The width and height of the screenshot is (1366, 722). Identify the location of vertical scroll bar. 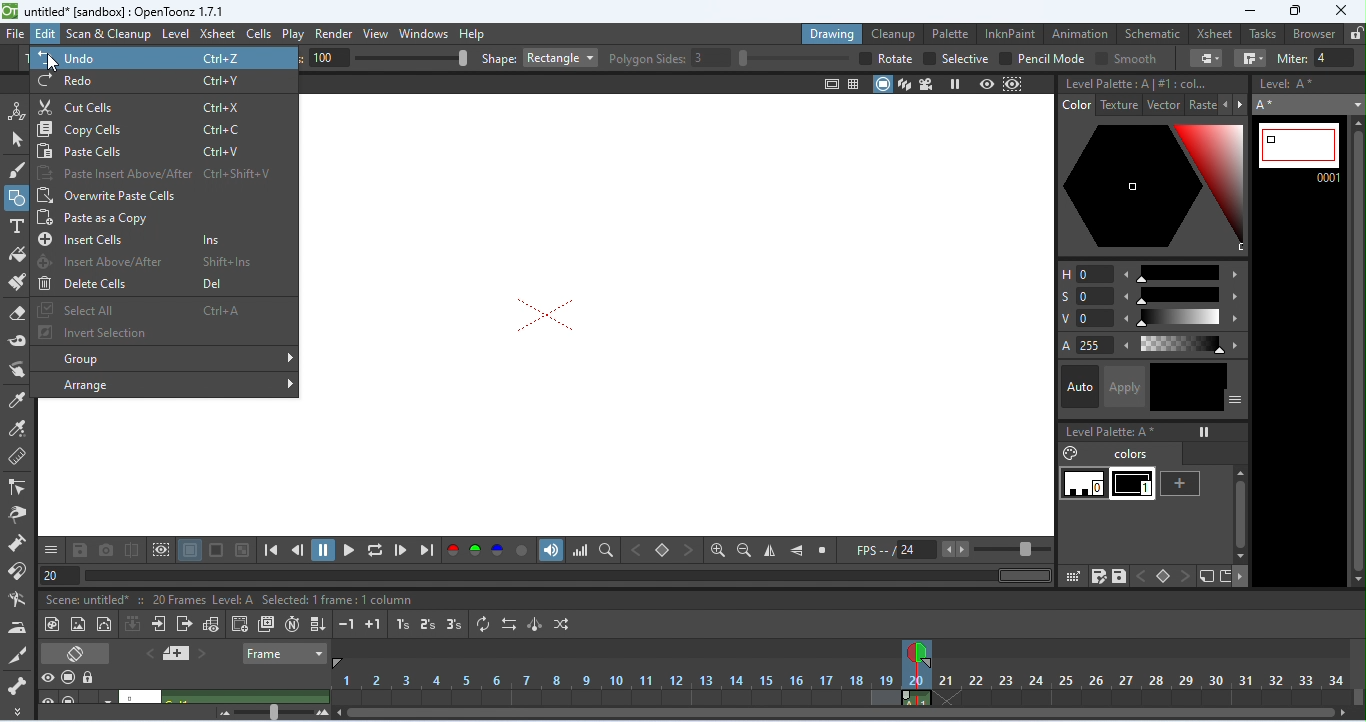
(1357, 351).